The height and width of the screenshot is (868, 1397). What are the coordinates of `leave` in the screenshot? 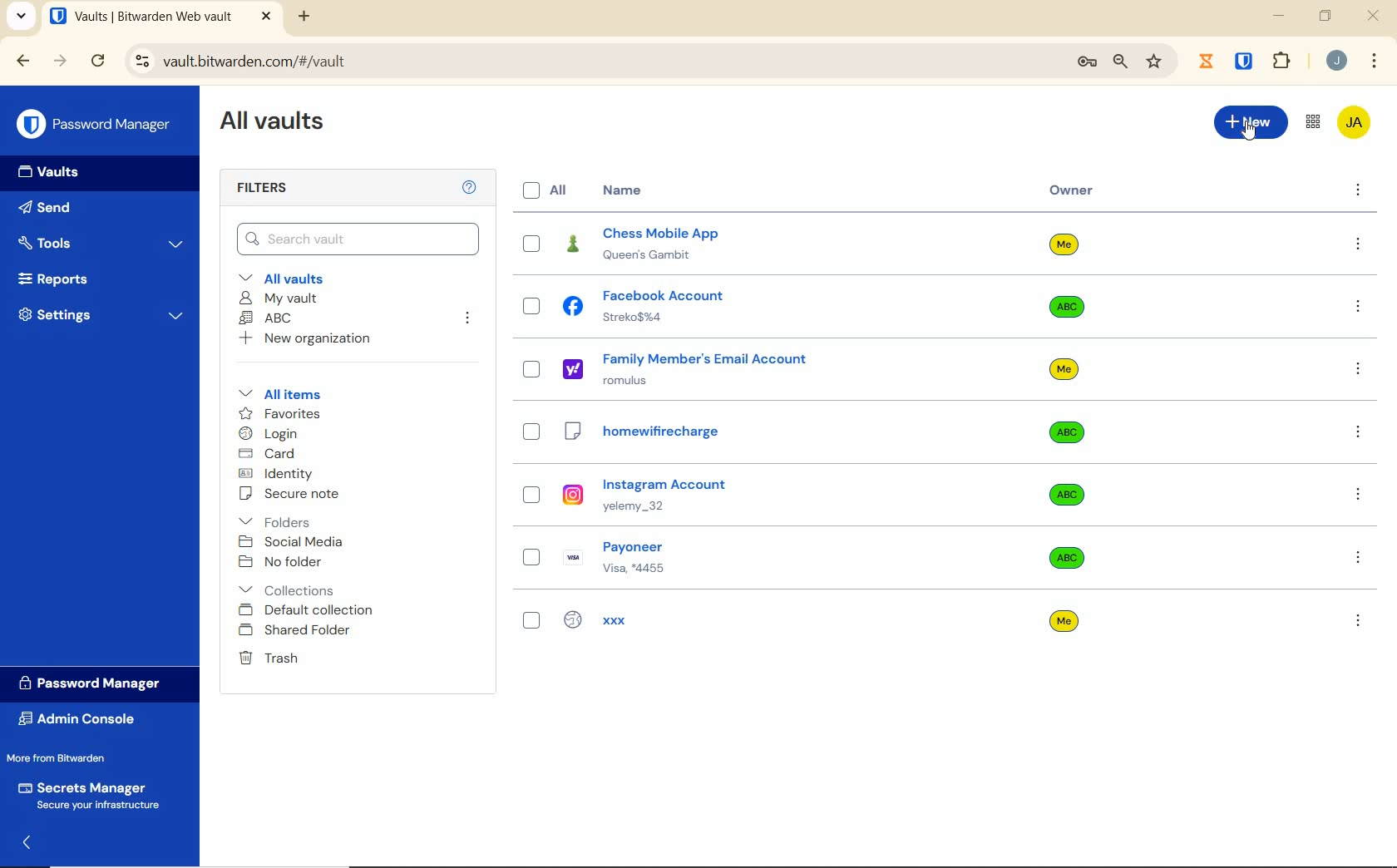 It's located at (467, 318).